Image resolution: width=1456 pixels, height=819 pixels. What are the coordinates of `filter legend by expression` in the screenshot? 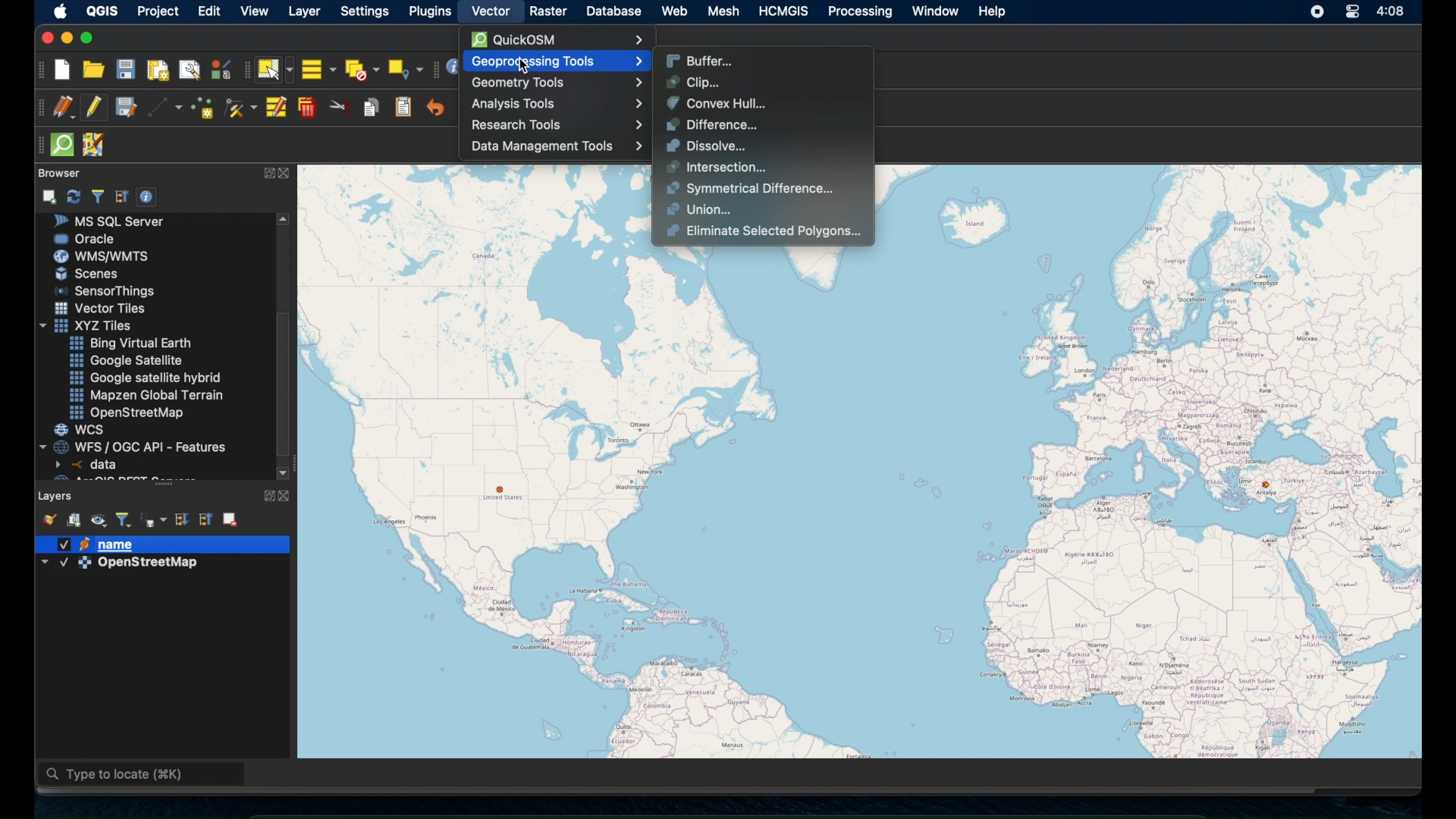 It's located at (154, 519).